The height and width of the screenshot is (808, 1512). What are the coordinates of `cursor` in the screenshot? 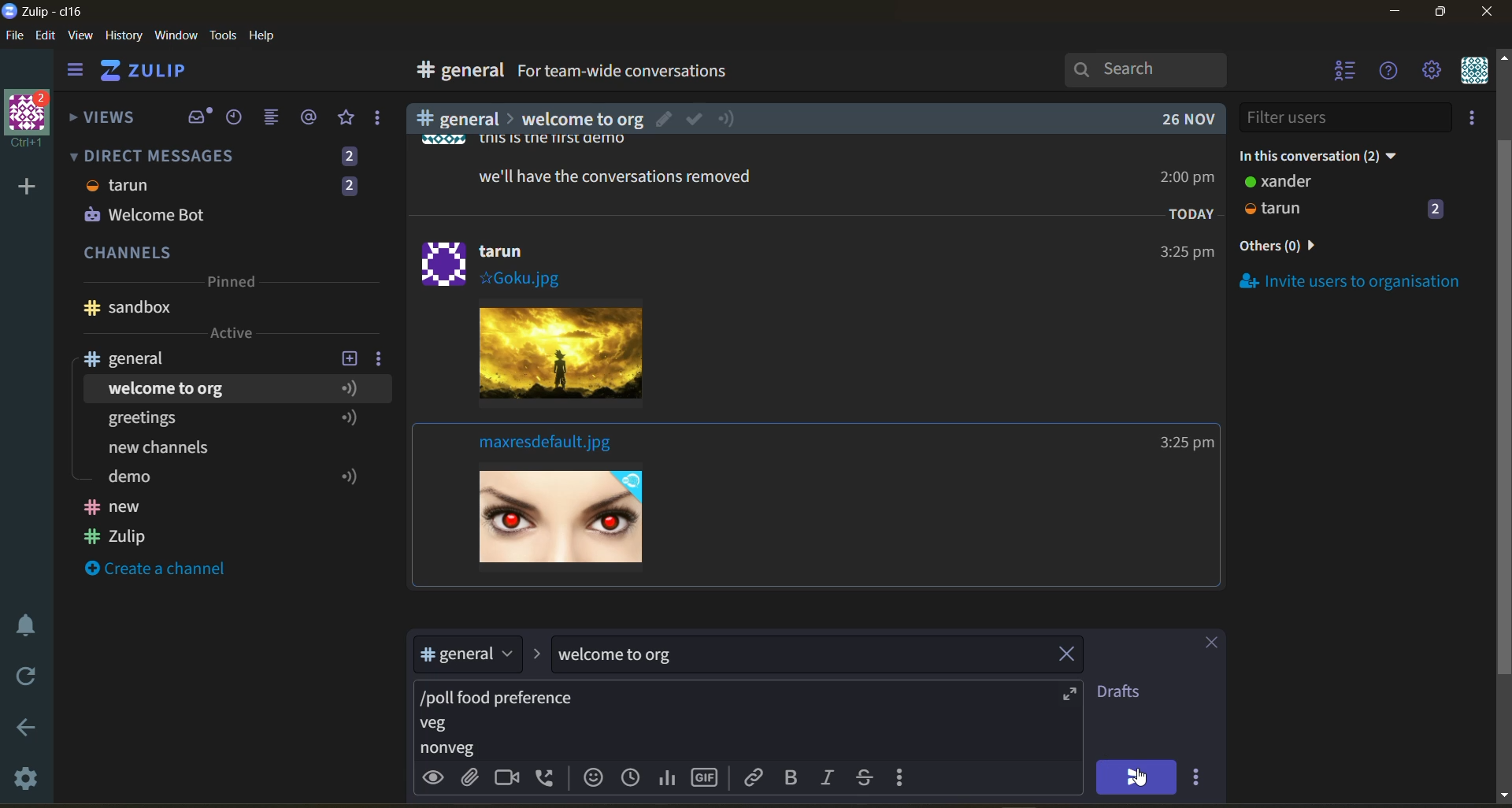 It's located at (1141, 780).